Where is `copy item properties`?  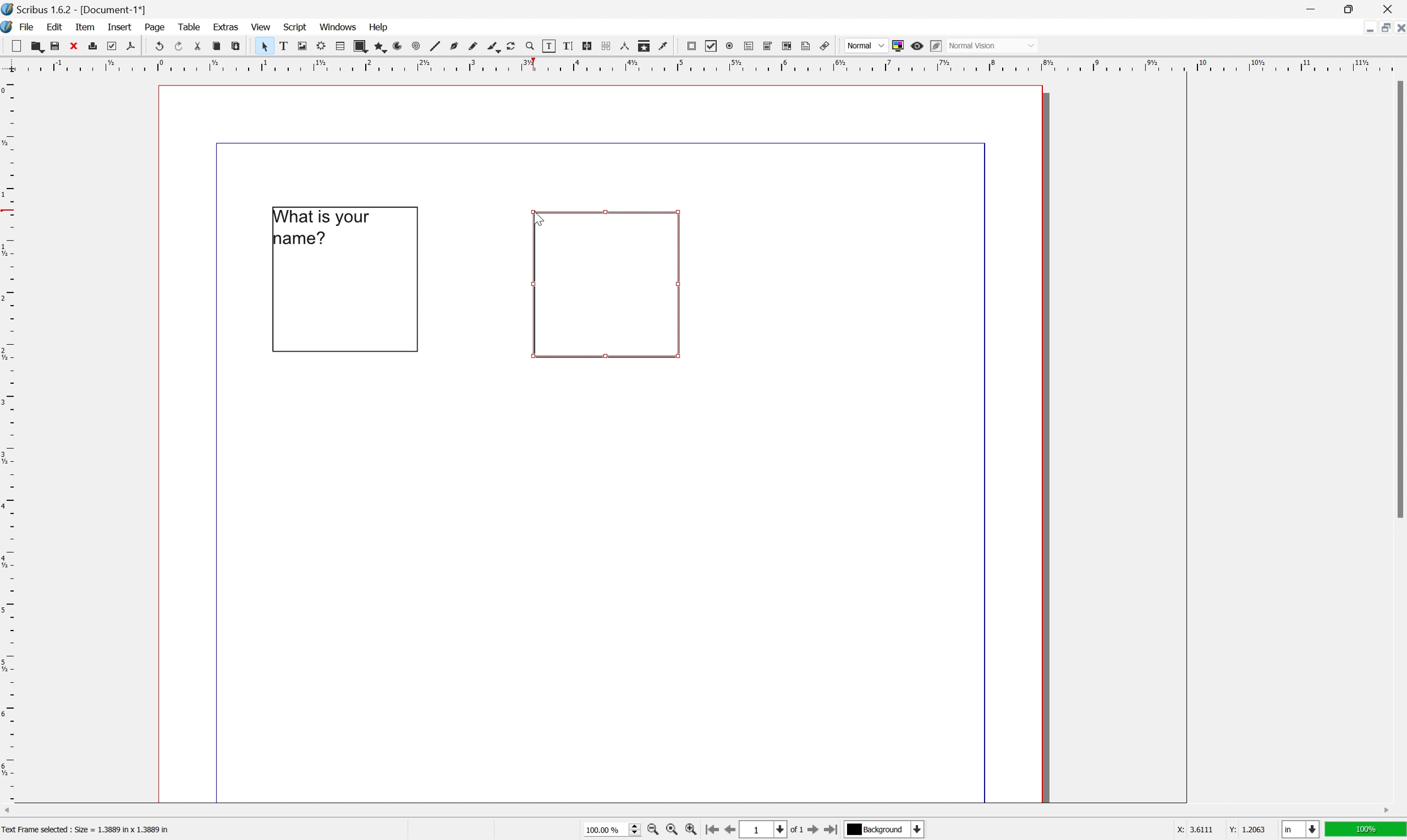 copy item properties is located at coordinates (643, 46).